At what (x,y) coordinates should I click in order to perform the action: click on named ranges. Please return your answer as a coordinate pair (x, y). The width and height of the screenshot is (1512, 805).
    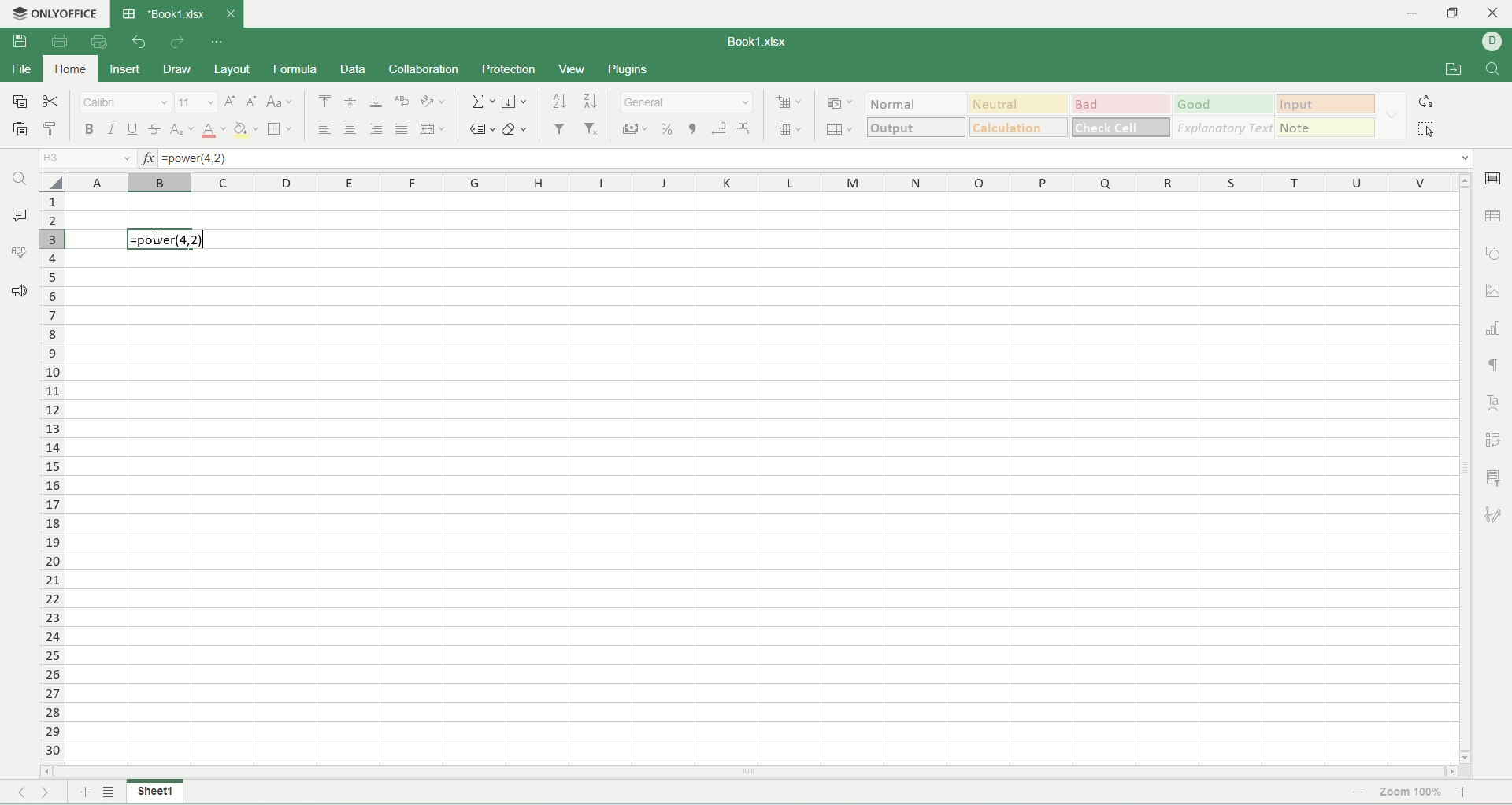
    Looking at the image, I should click on (483, 129).